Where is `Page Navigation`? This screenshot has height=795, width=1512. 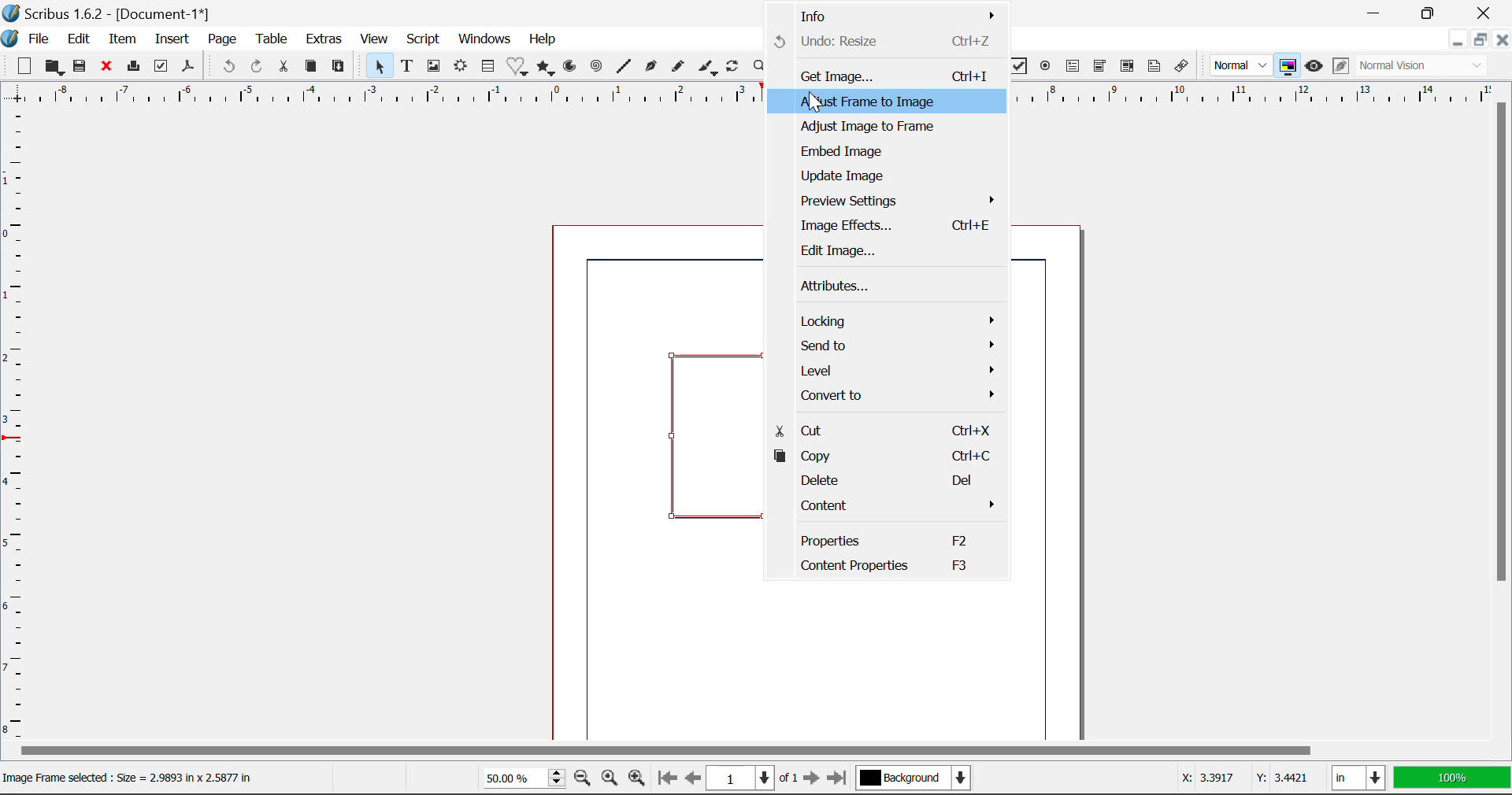
Page Navigation is located at coordinates (747, 778).